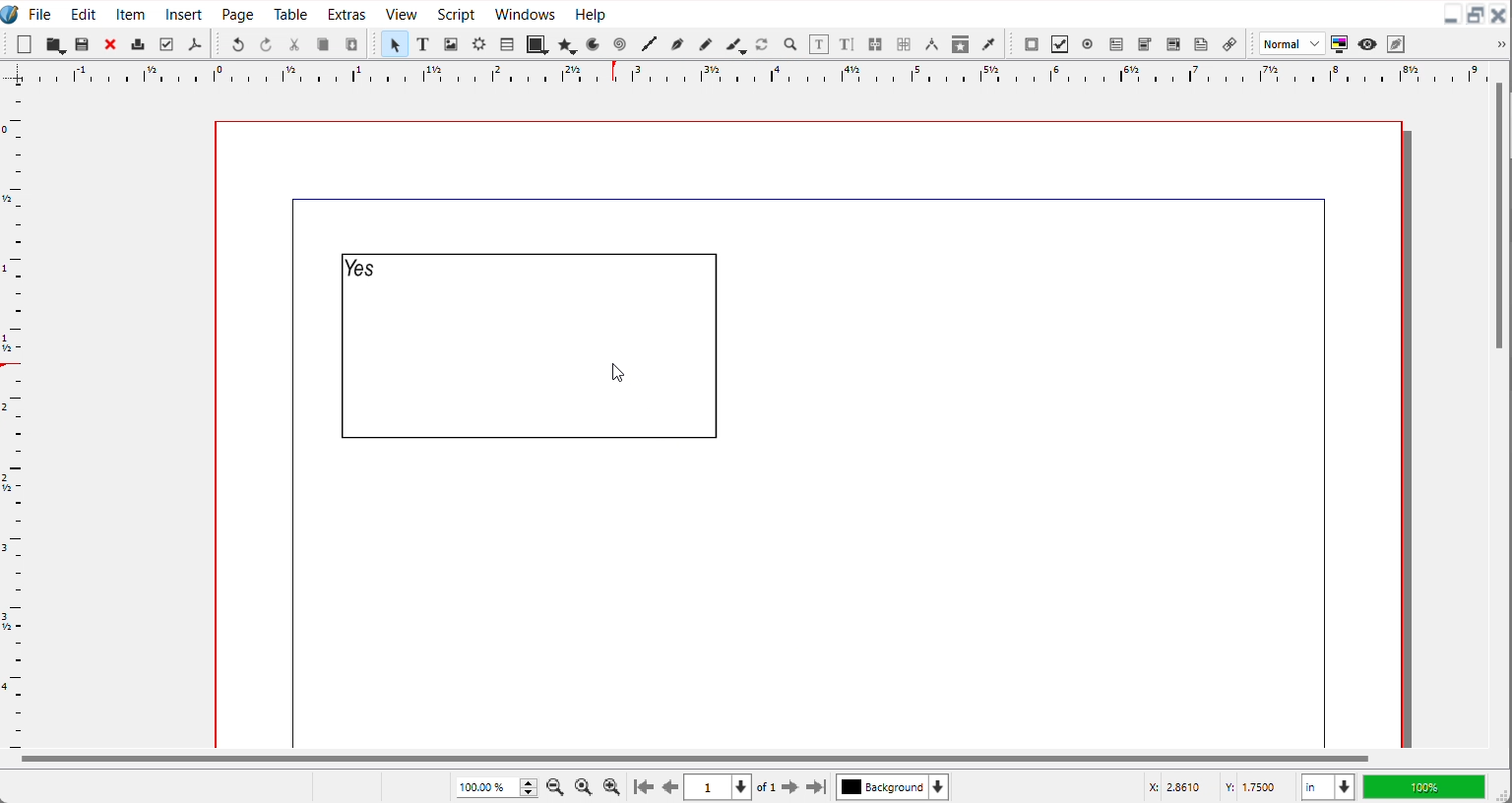 This screenshot has width=1512, height=803. Describe the element at coordinates (1368, 44) in the screenshot. I see `Preview` at that location.